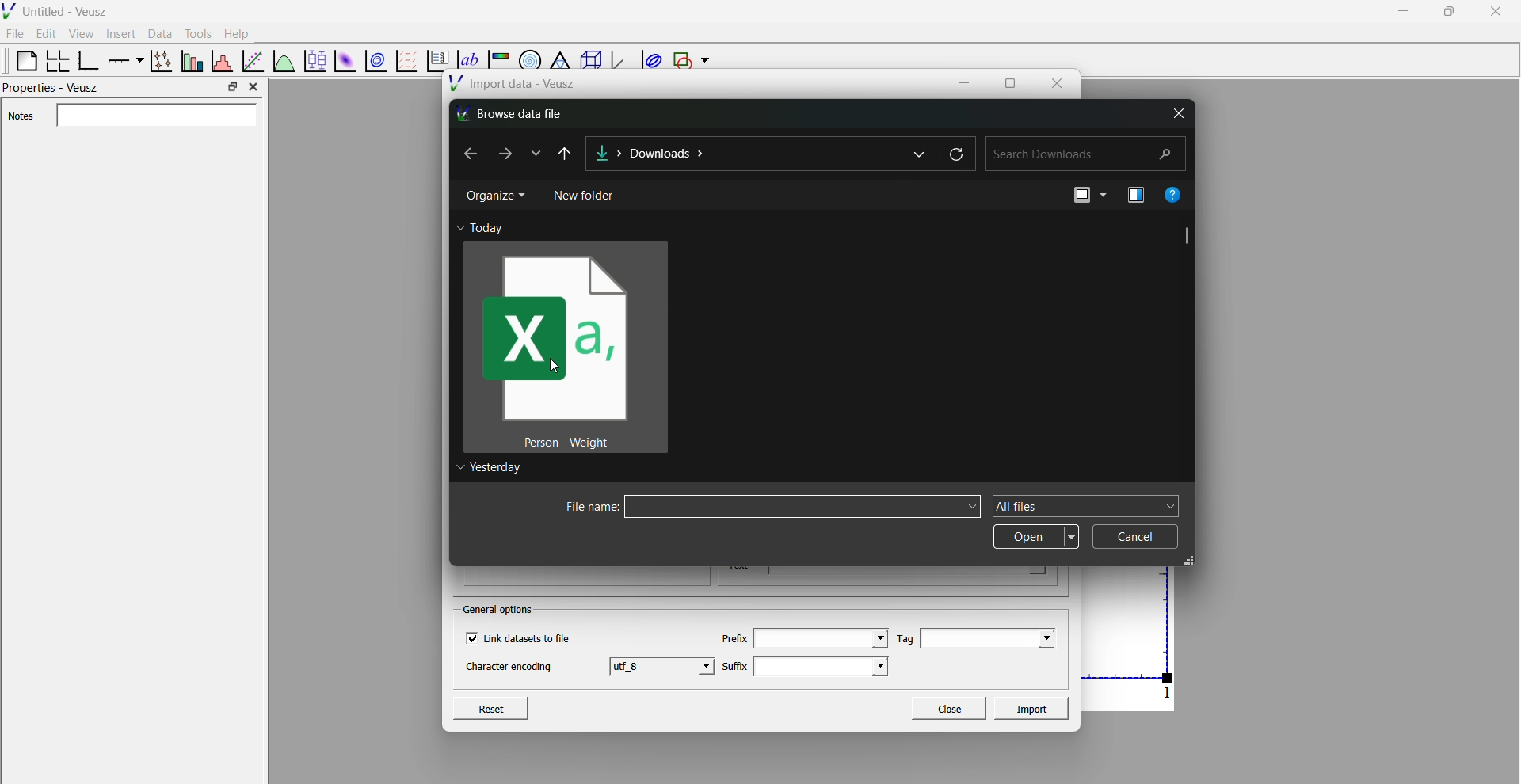 The width and height of the screenshot is (1521, 784). Describe the element at coordinates (558, 374) in the screenshot. I see `cursor` at that location.